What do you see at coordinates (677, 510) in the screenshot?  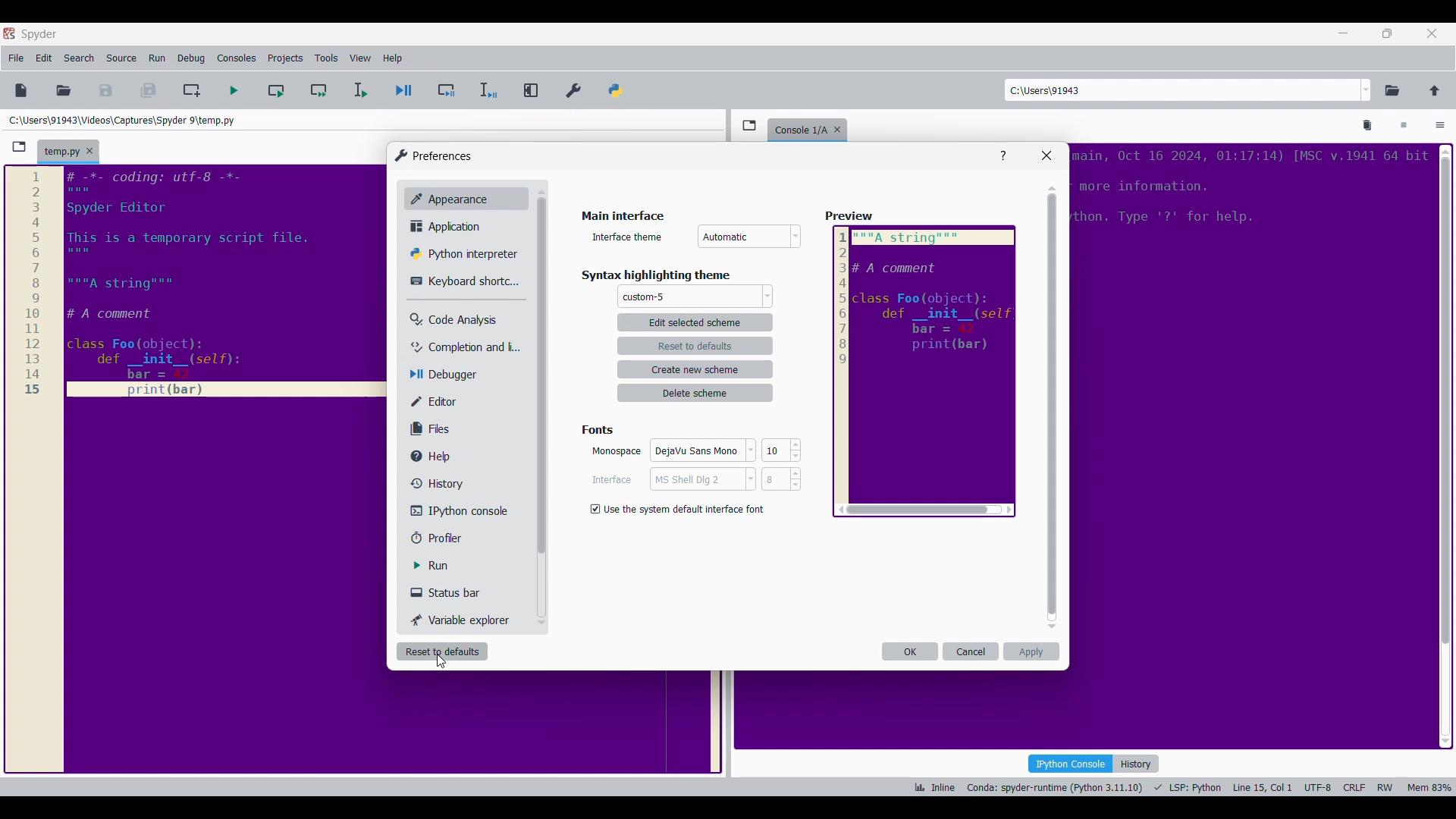 I see `Toggle for default interface font` at bounding box center [677, 510].